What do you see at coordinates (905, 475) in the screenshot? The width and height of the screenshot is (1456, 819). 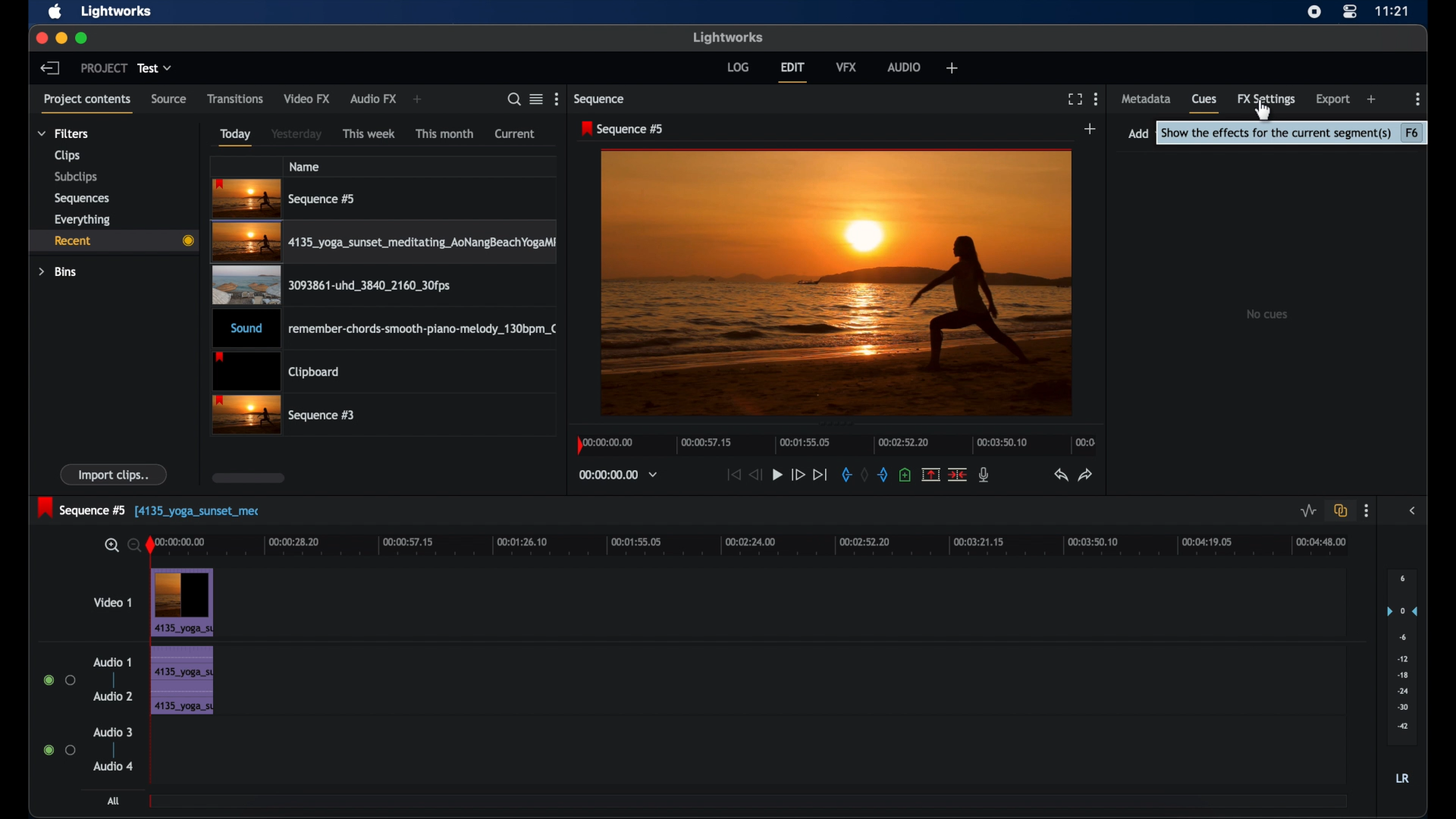 I see `add cue at current position` at bounding box center [905, 475].